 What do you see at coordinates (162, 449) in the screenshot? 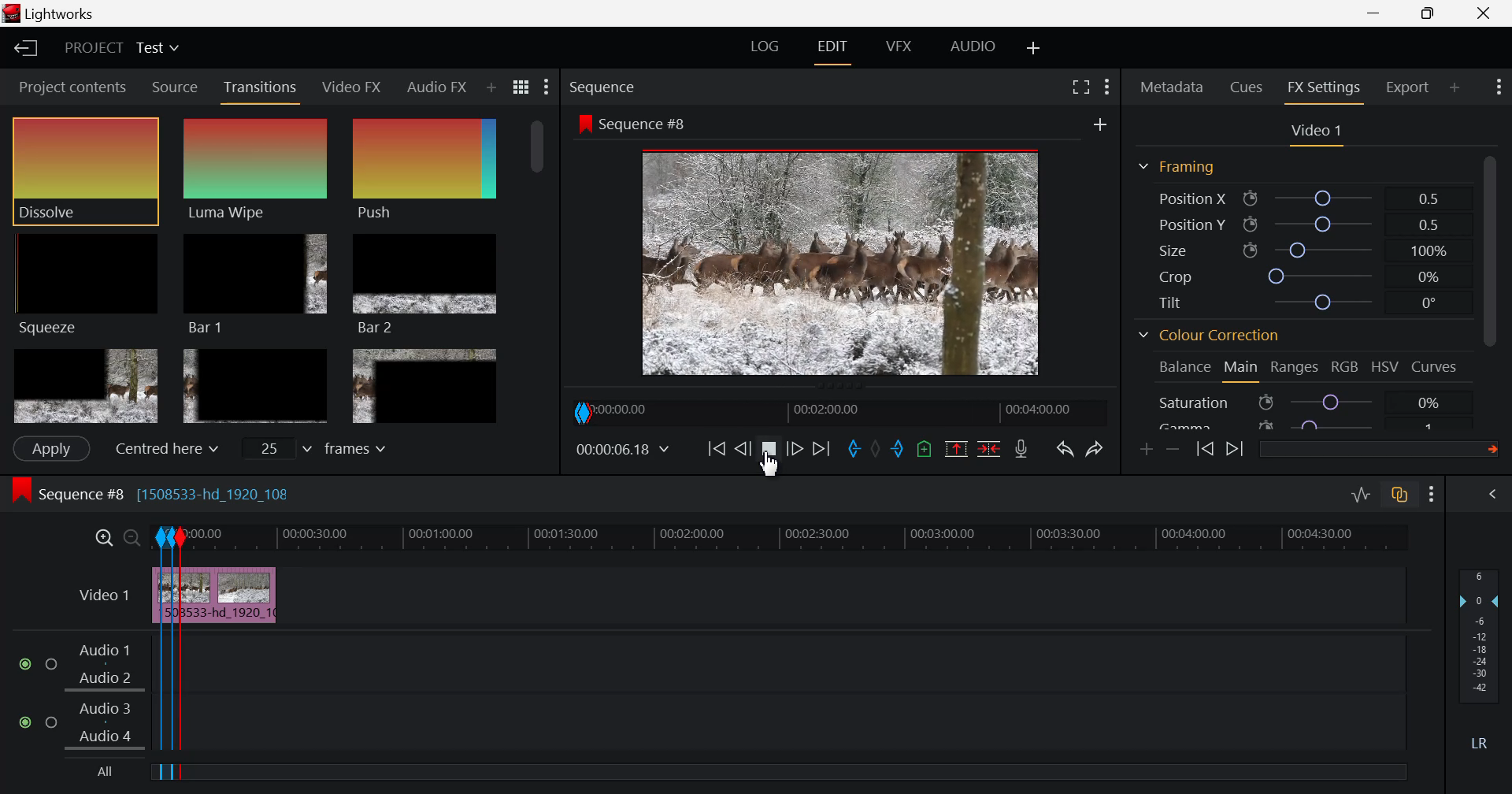
I see `Centered here` at bounding box center [162, 449].